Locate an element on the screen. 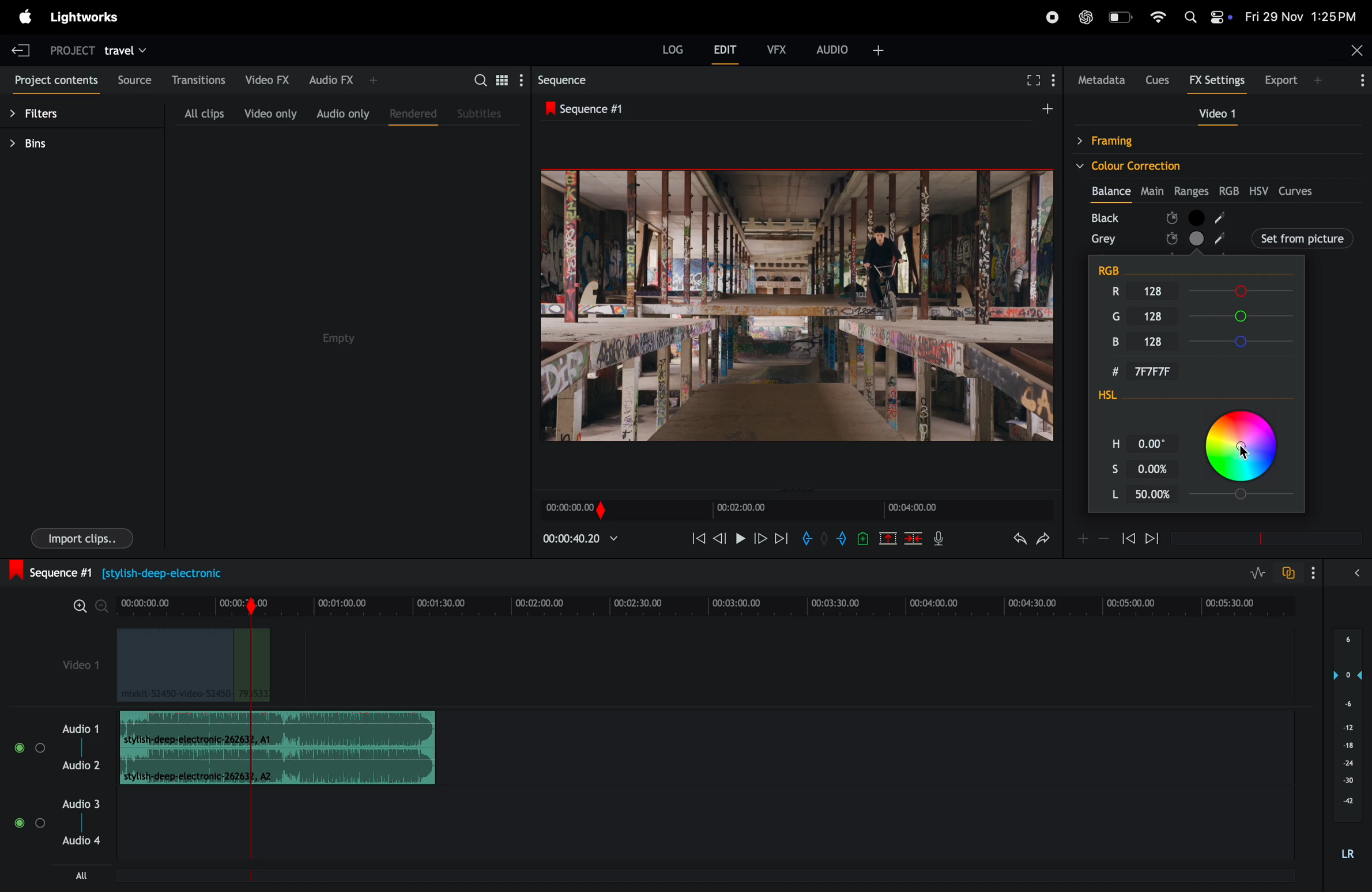  vfx is located at coordinates (777, 48).